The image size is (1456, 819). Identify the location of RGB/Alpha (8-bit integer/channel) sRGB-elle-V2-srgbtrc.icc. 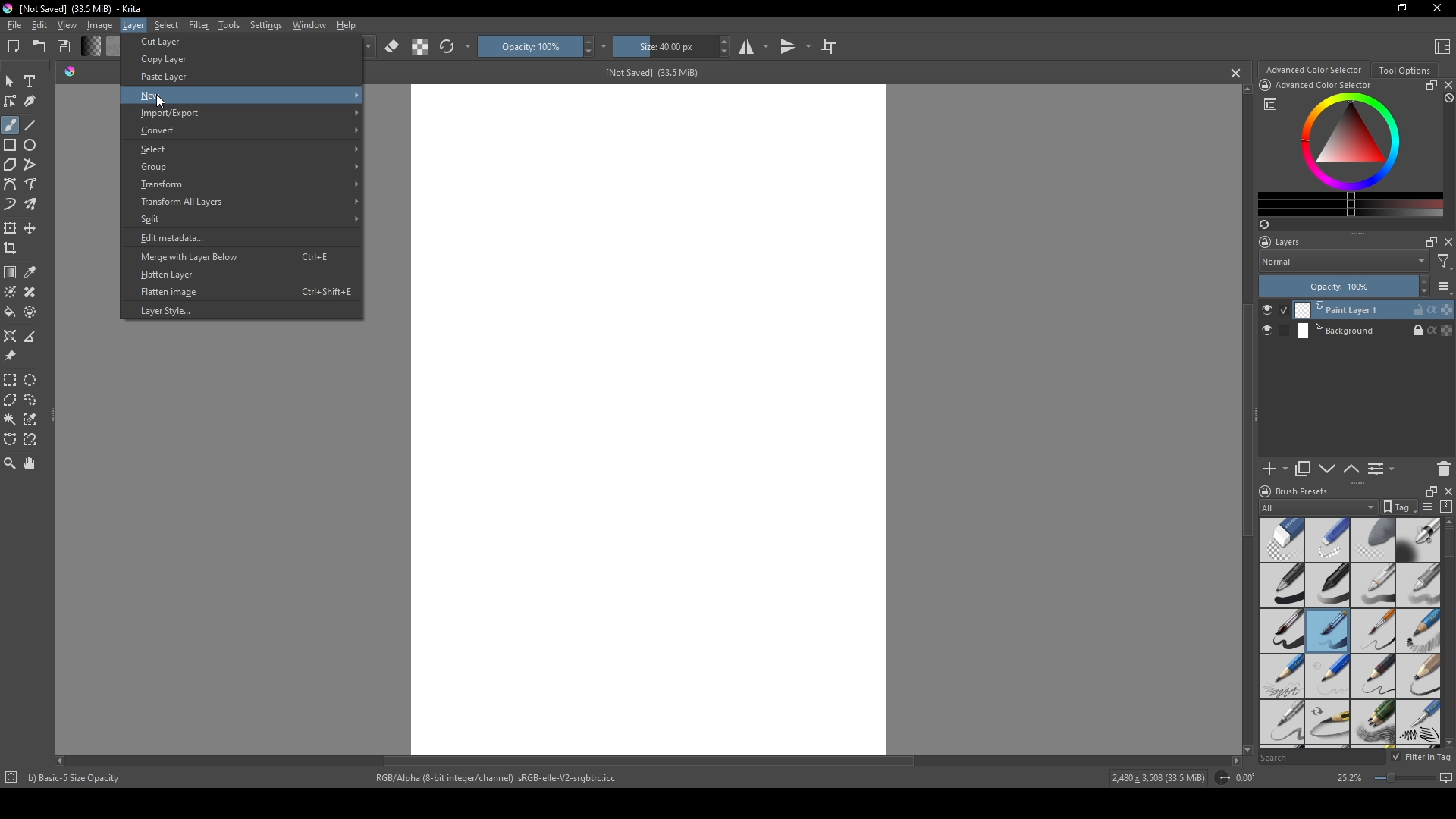
(503, 778).